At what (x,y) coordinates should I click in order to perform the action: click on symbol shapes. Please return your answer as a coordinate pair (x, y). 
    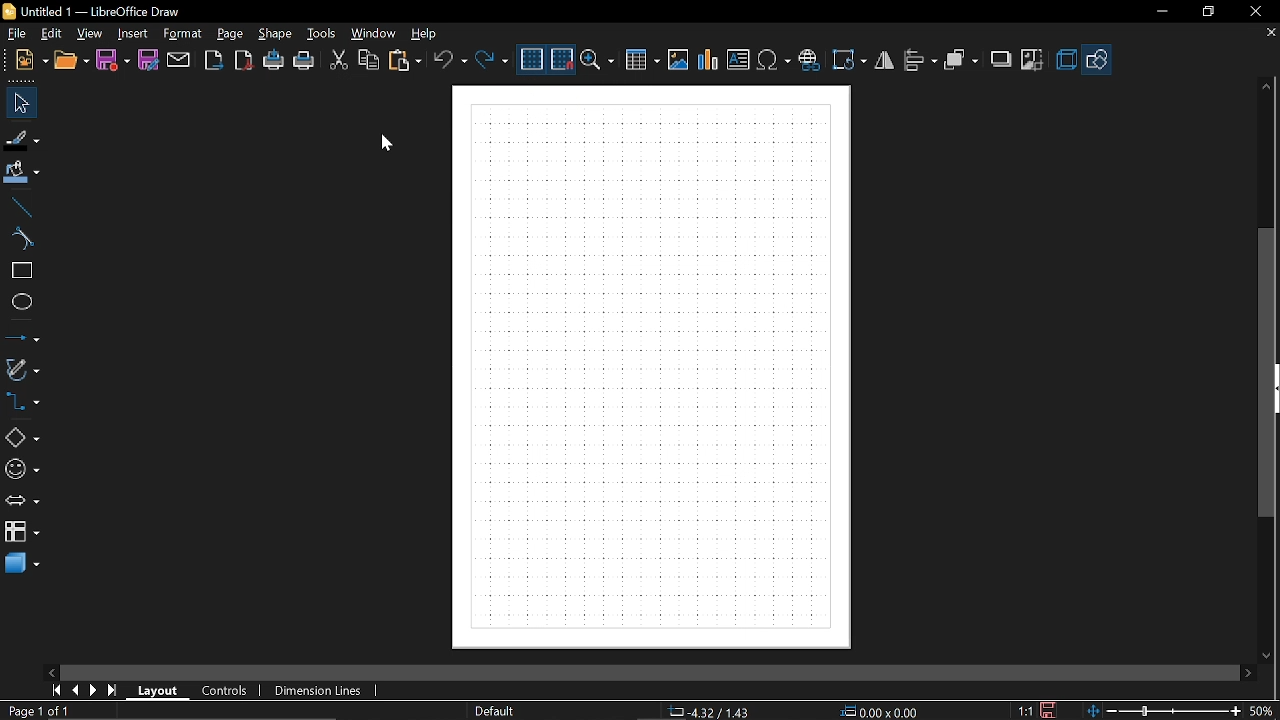
    Looking at the image, I should click on (23, 471).